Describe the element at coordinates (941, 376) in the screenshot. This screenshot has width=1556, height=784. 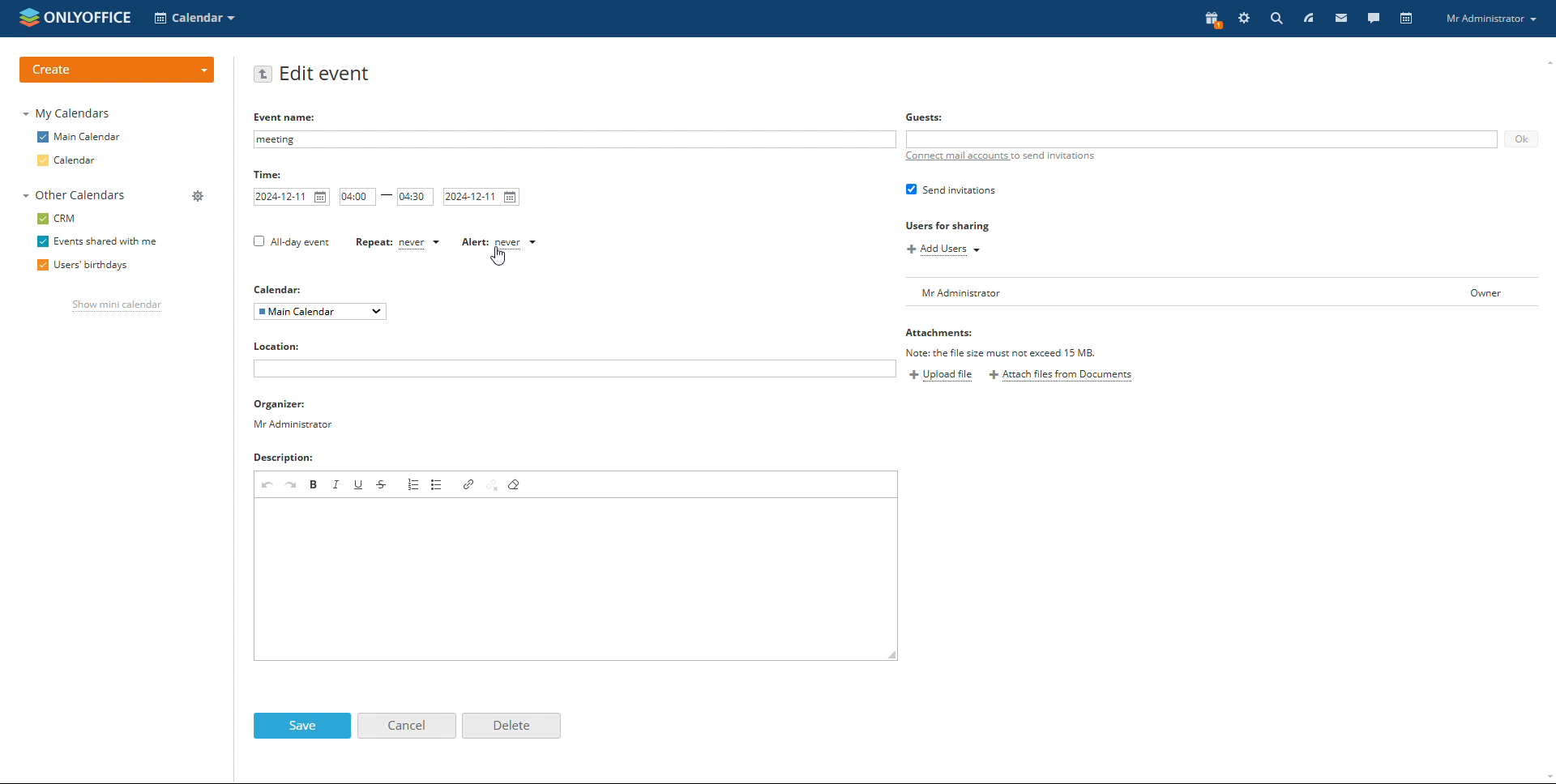
I see `upload files` at that location.